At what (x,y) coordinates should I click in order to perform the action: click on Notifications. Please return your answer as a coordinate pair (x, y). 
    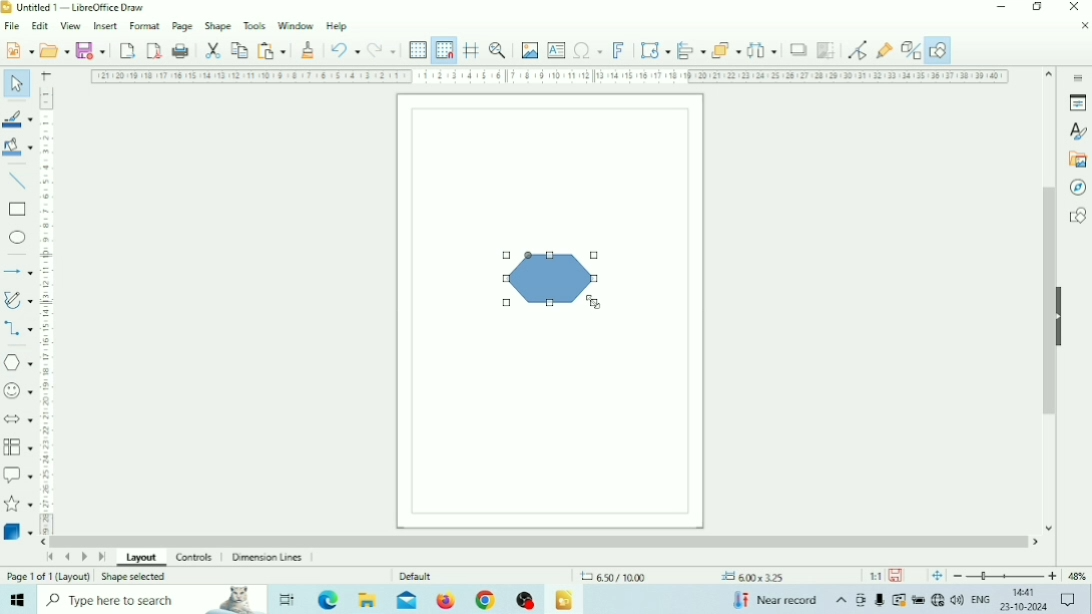
    Looking at the image, I should click on (1067, 600).